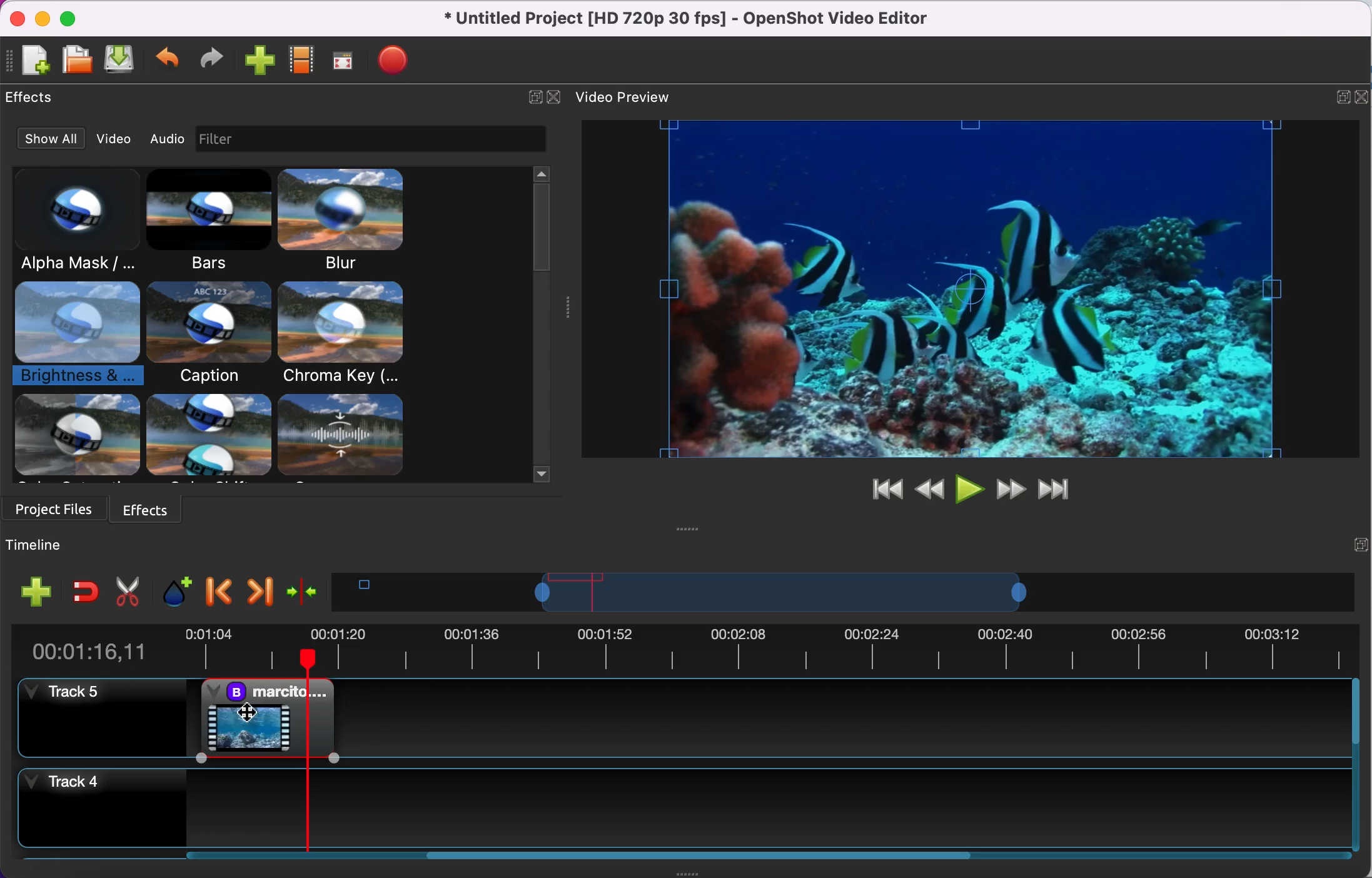 Image resolution: width=1372 pixels, height=878 pixels. Describe the element at coordinates (20, 17) in the screenshot. I see `close` at that location.